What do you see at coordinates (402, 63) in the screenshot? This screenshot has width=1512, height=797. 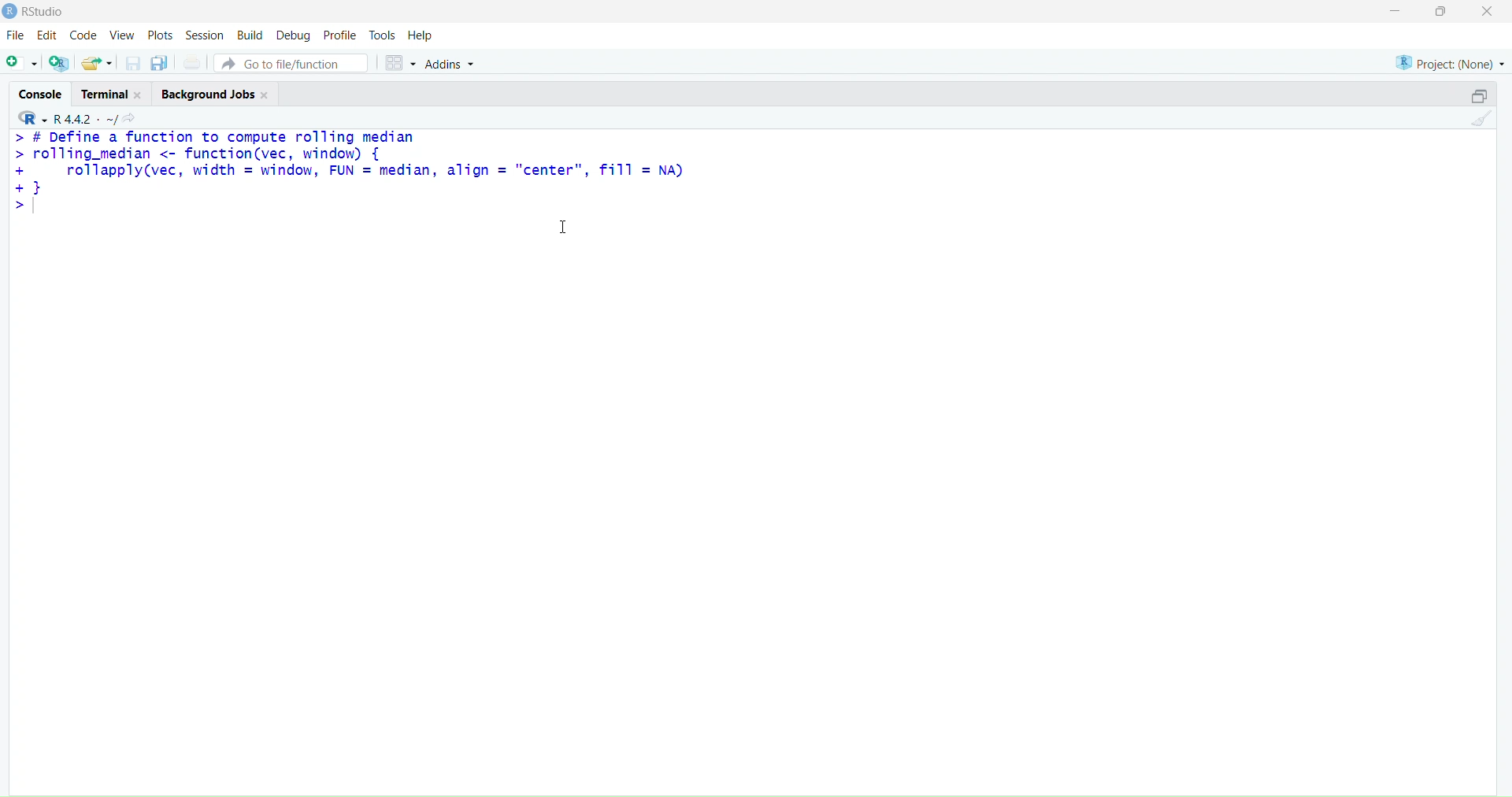 I see `grid` at bounding box center [402, 63].